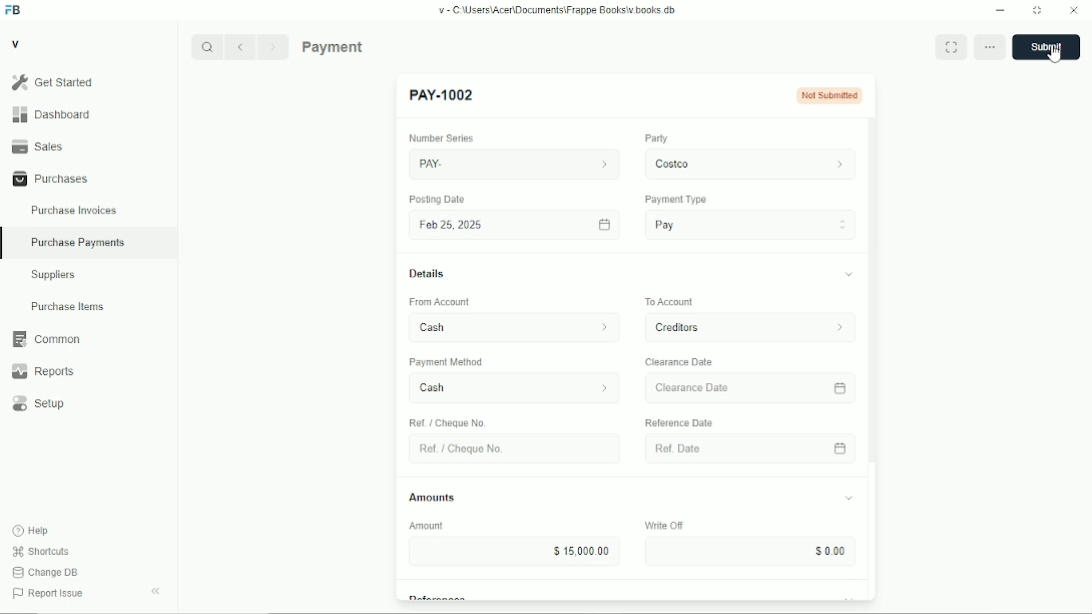 The height and width of the screenshot is (614, 1092). Describe the element at coordinates (16, 43) in the screenshot. I see `V` at that location.